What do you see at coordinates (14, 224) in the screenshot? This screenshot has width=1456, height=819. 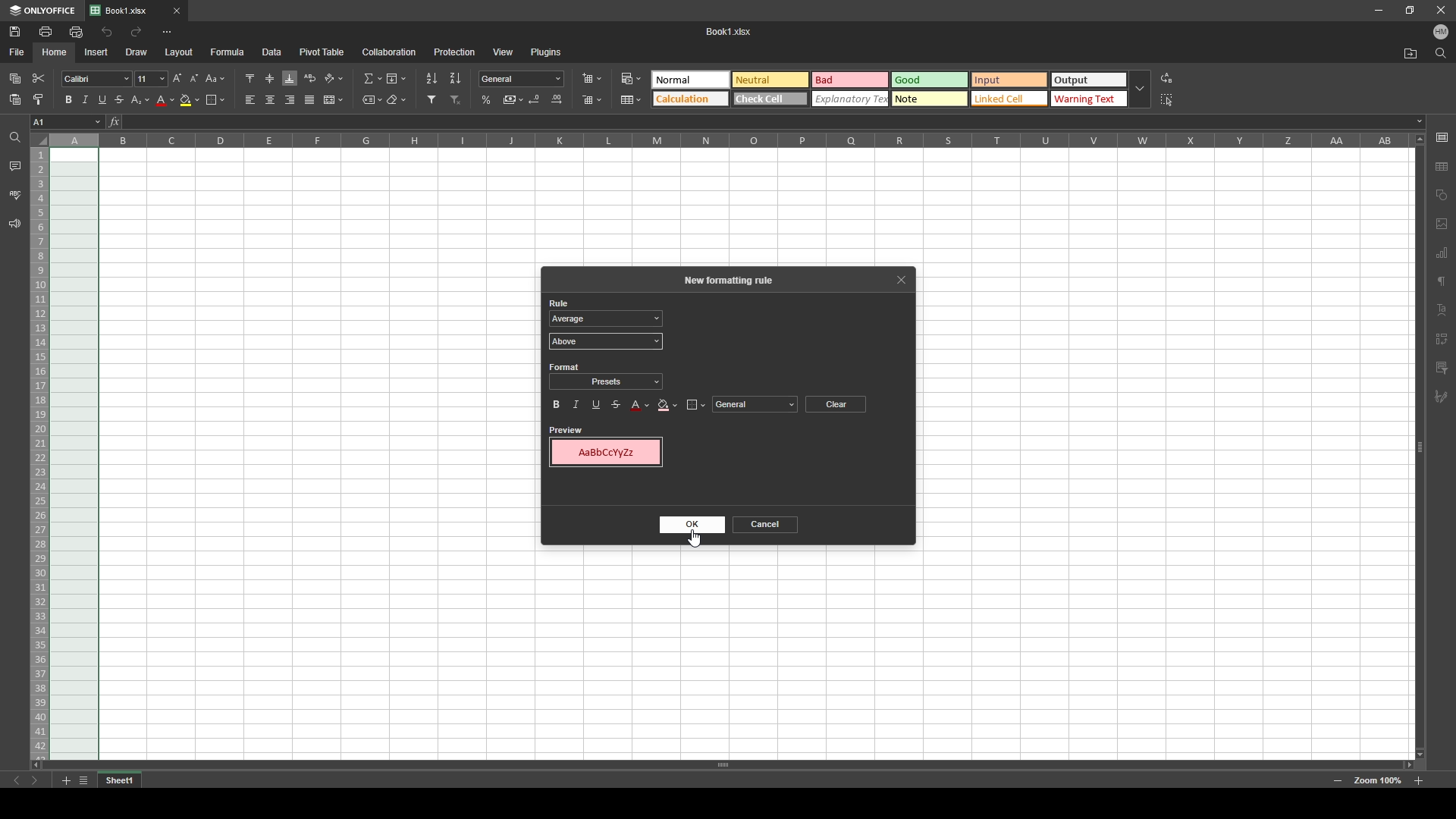 I see `support` at bounding box center [14, 224].